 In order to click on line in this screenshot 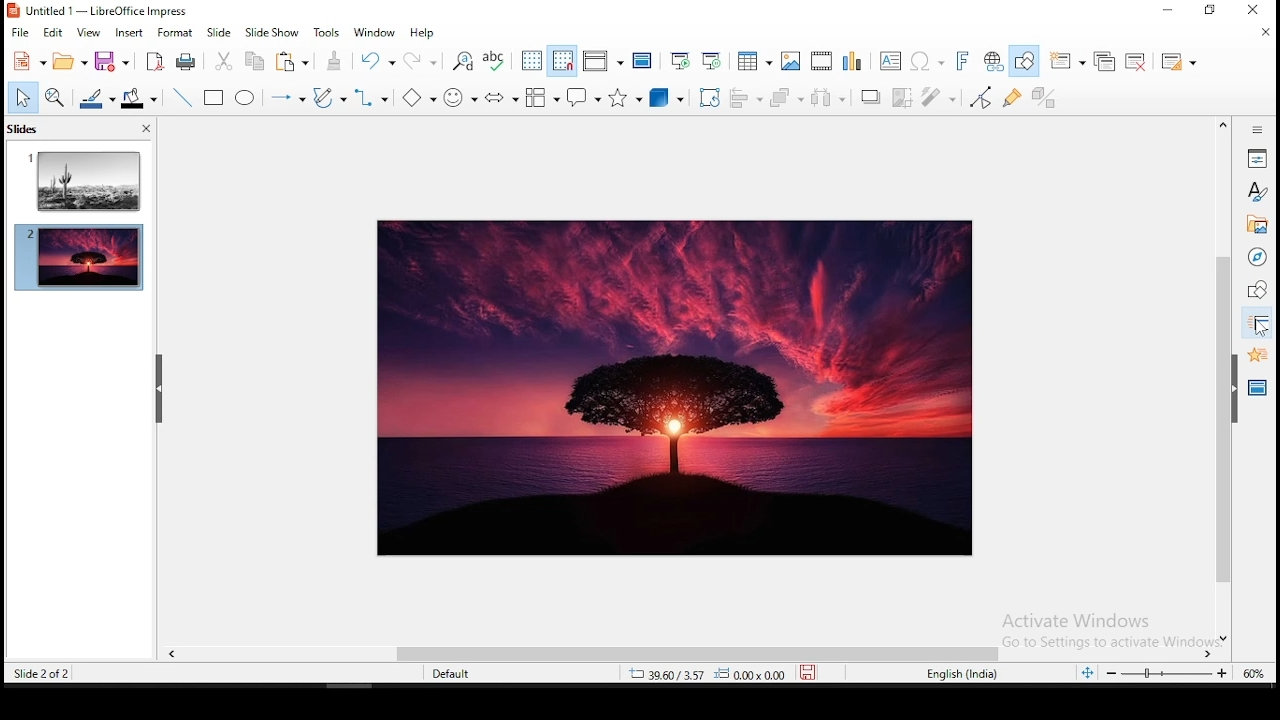, I will do `click(182, 97)`.